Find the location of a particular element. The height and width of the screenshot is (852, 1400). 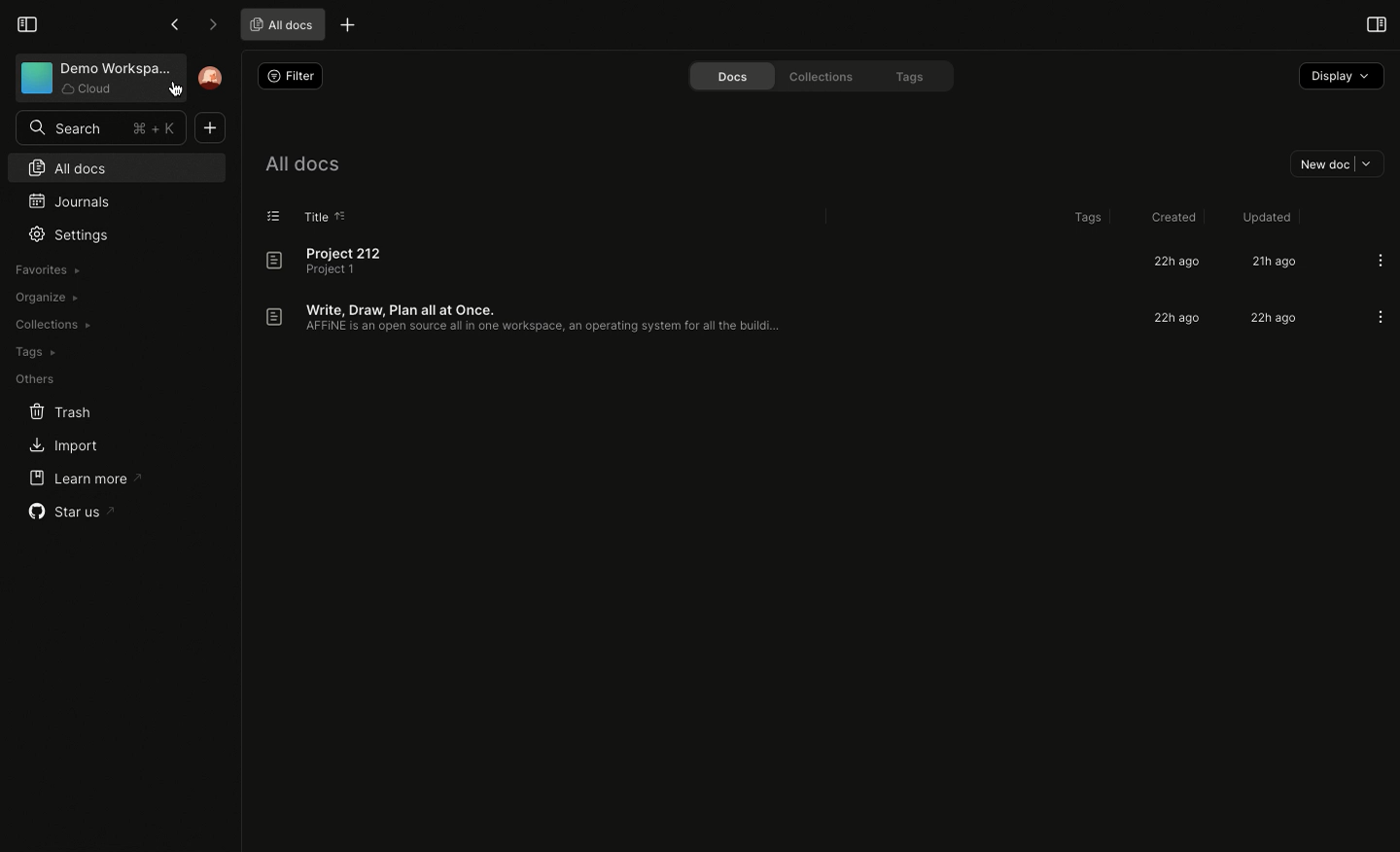

Docs is located at coordinates (727, 75).